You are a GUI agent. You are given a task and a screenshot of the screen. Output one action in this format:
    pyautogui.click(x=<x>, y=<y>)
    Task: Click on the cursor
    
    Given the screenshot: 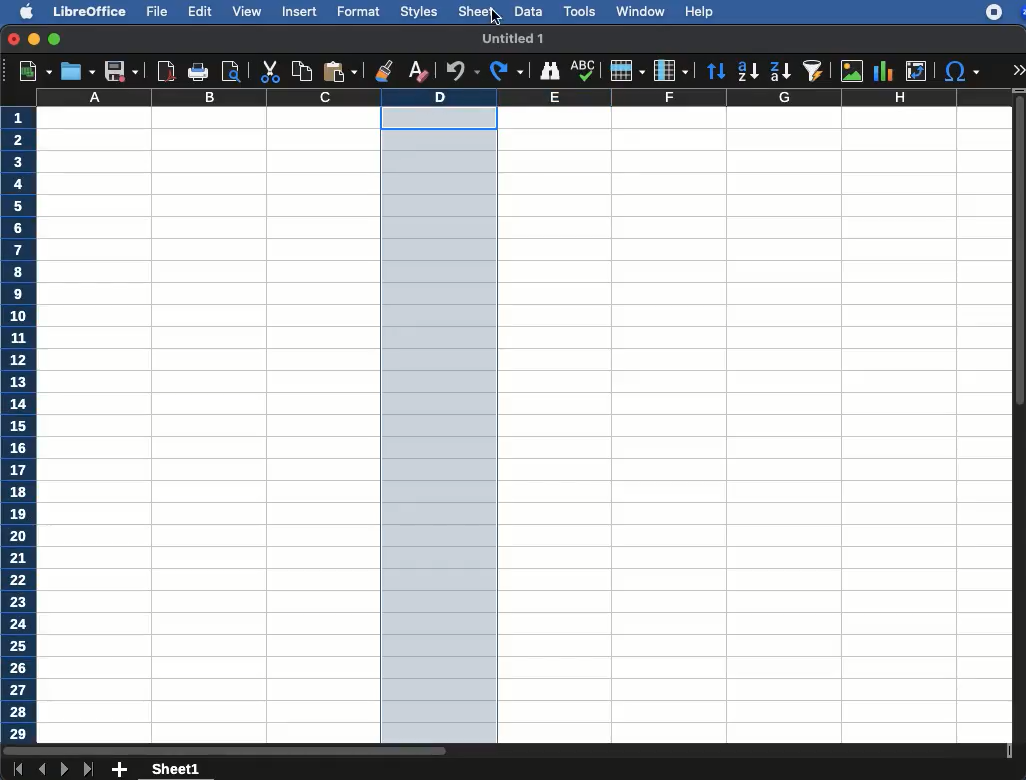 What is the action you would take?
    pyautogui.click(x=496, y=16)
    